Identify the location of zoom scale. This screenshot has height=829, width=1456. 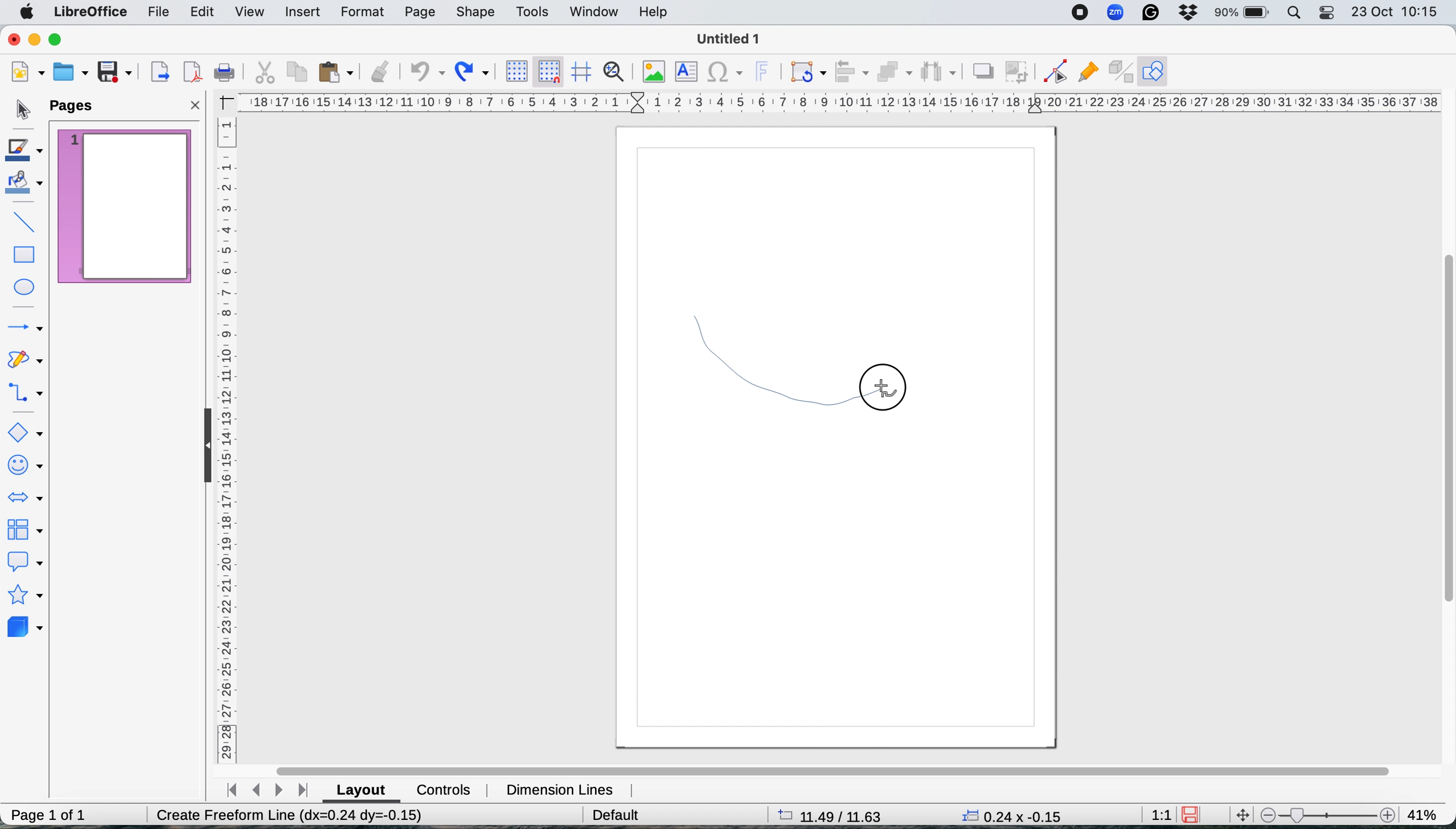
(1330, 813).